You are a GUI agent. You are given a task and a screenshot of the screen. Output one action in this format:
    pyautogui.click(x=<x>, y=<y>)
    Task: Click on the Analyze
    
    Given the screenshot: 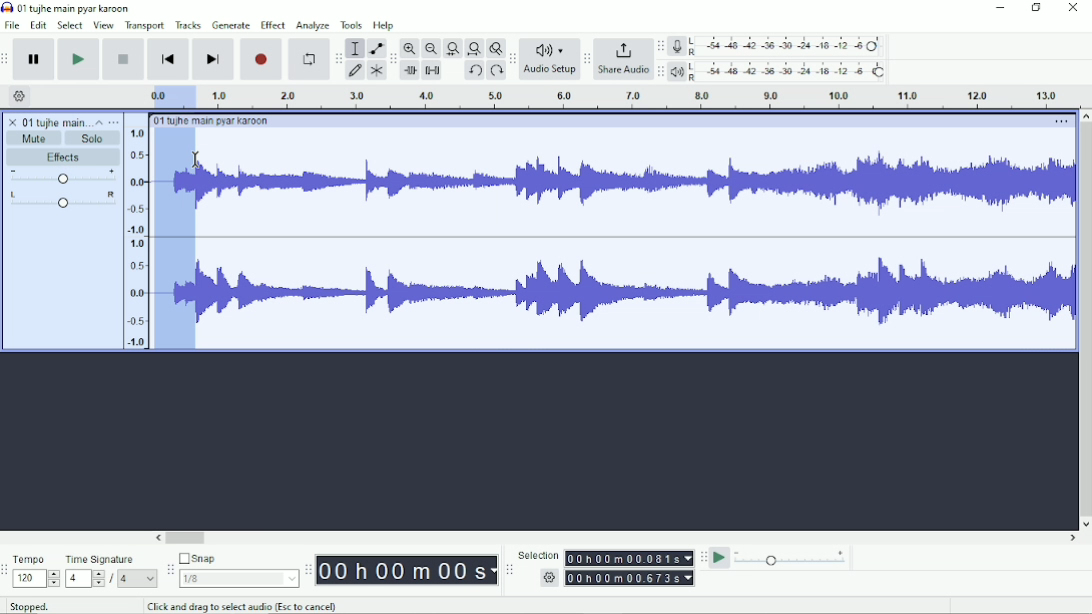 What is the action you would take?
    pyautogui.click(x=312, y=27)
    